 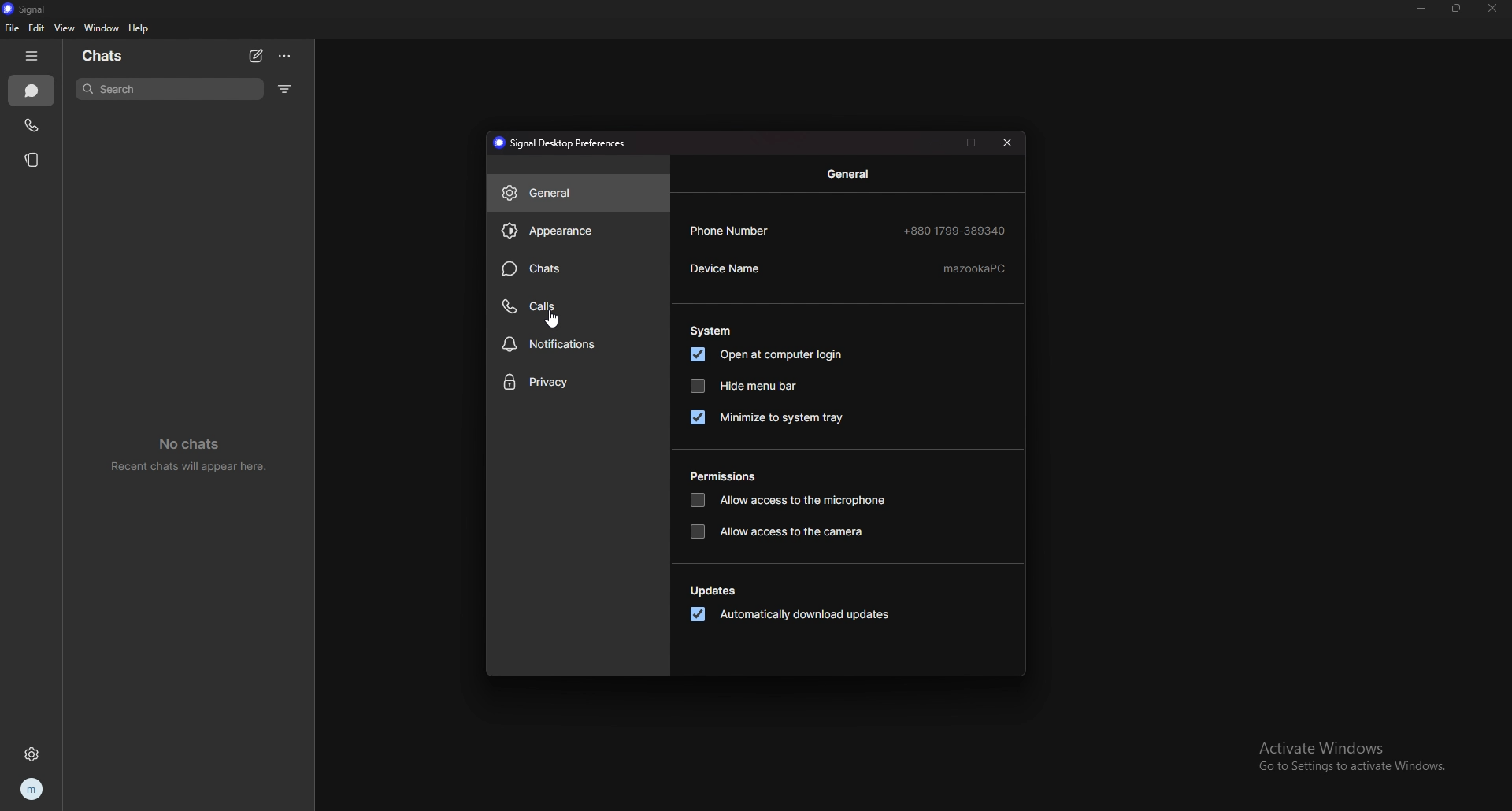 What do you see at coordinates (1010, 141) in the screenshot?
I see `close` at bounding box center [1010, 141].